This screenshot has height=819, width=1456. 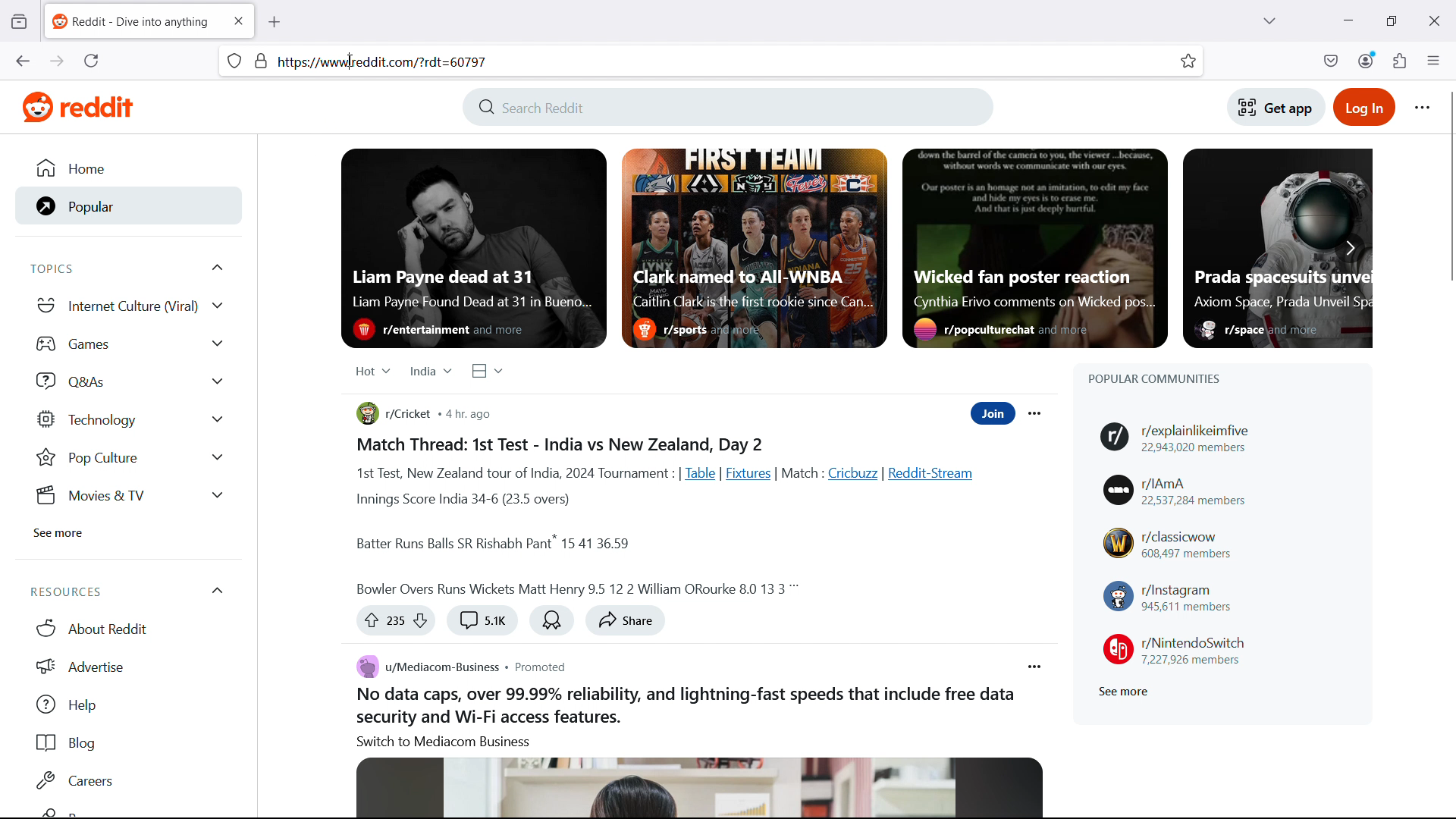 I want to click on u/mediacom-business community, so click(x=423, y=667).